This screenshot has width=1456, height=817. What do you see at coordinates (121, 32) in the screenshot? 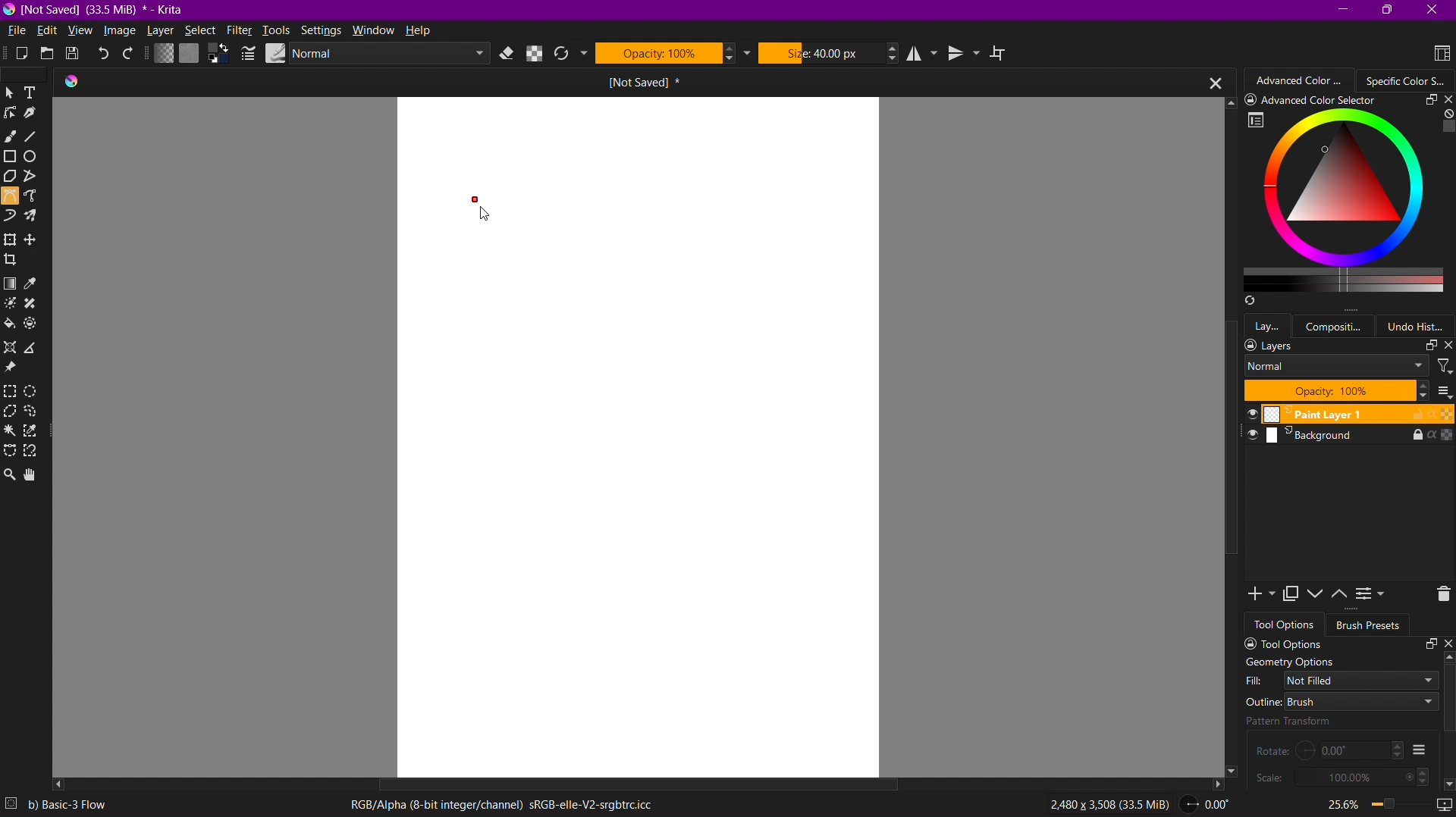
I see `Image` at bounding box center [121, 32].